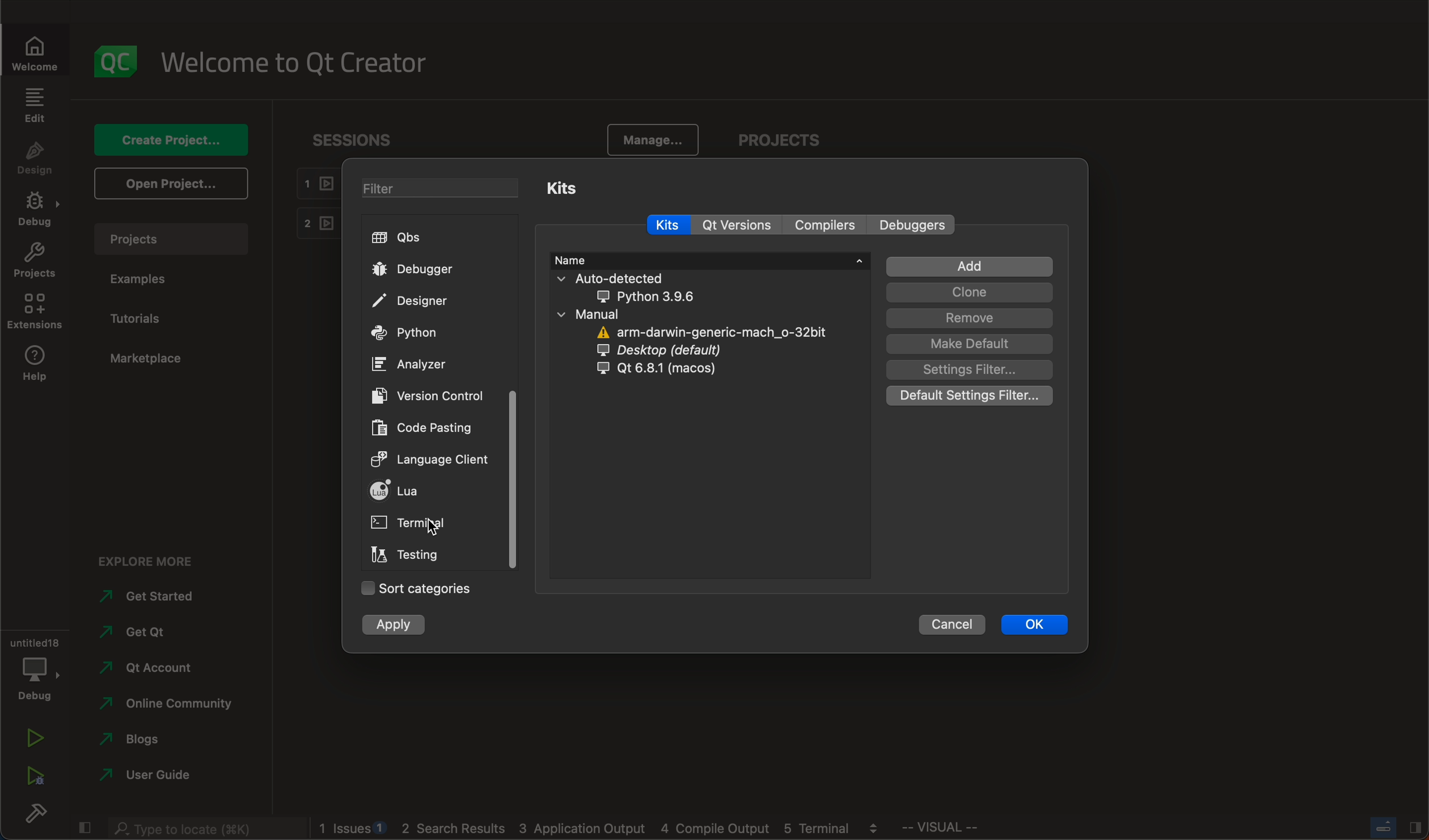  I want to click on ok, so click(1030, 624).